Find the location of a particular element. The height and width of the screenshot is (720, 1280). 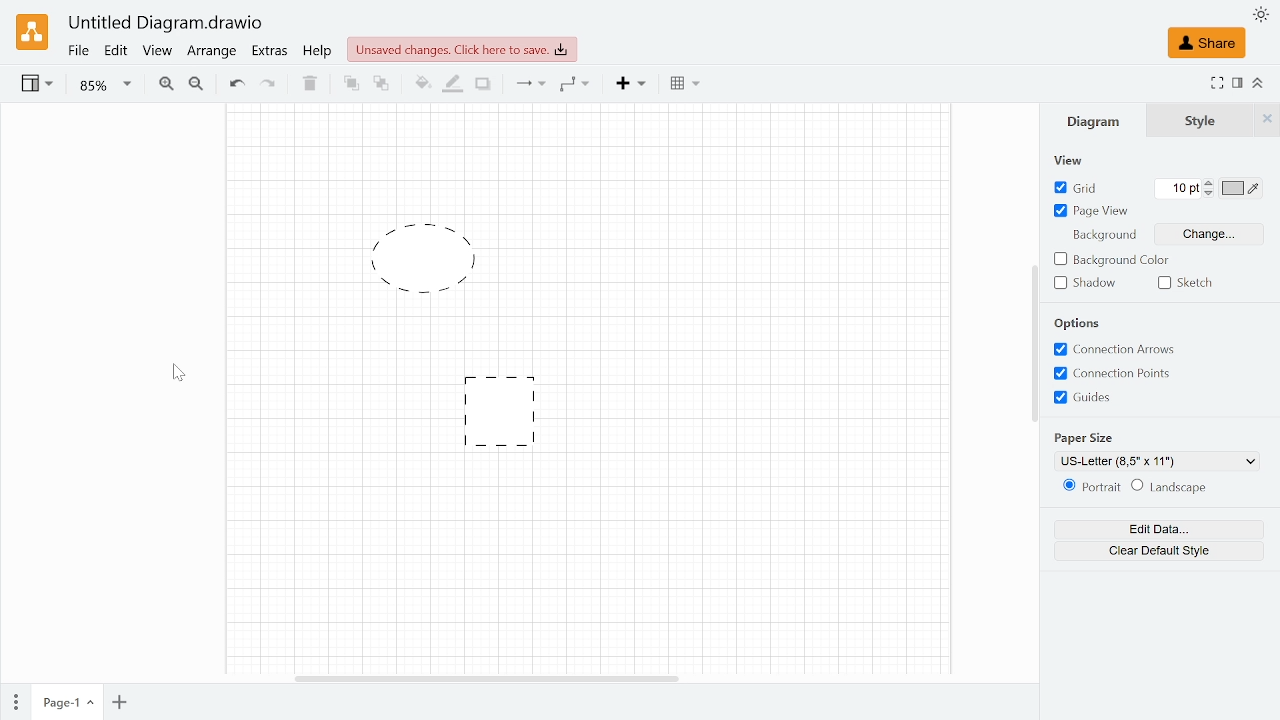

Fill color is located at coordinates (420, 86).